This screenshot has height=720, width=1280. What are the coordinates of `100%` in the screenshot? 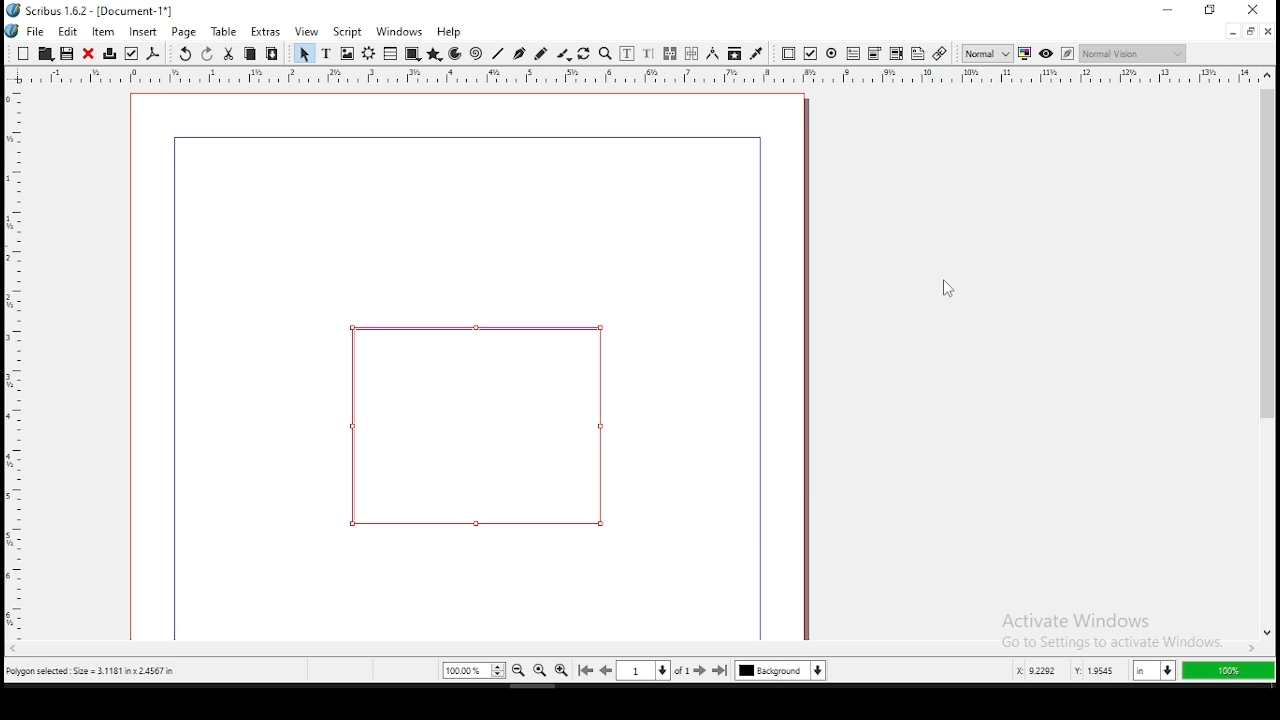 It's located at (1228, 671).